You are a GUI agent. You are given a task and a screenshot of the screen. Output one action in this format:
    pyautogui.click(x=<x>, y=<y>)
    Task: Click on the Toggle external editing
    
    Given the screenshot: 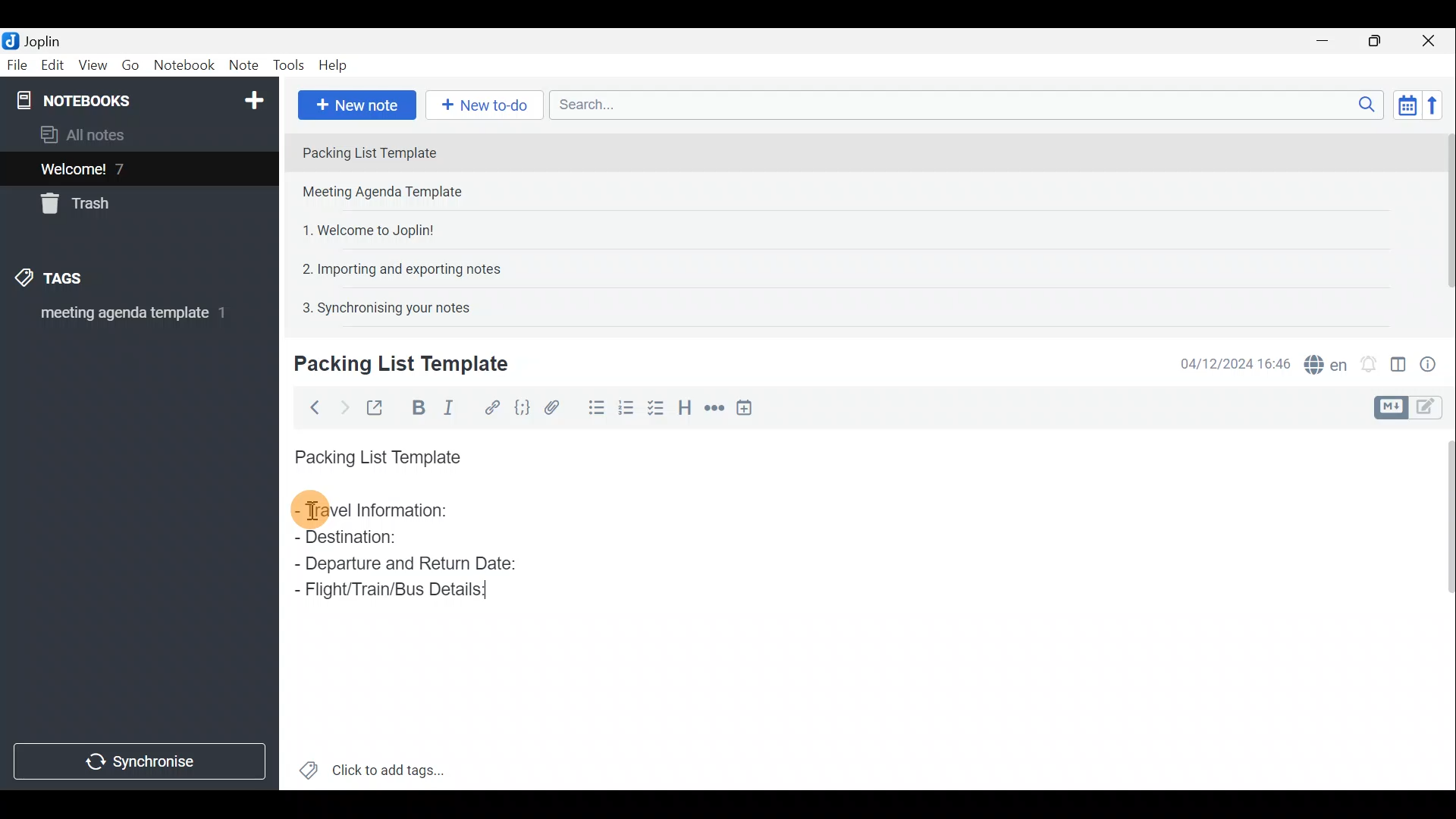 What is the action you would take?
    pyautogui.click(x=376, y=406)
    